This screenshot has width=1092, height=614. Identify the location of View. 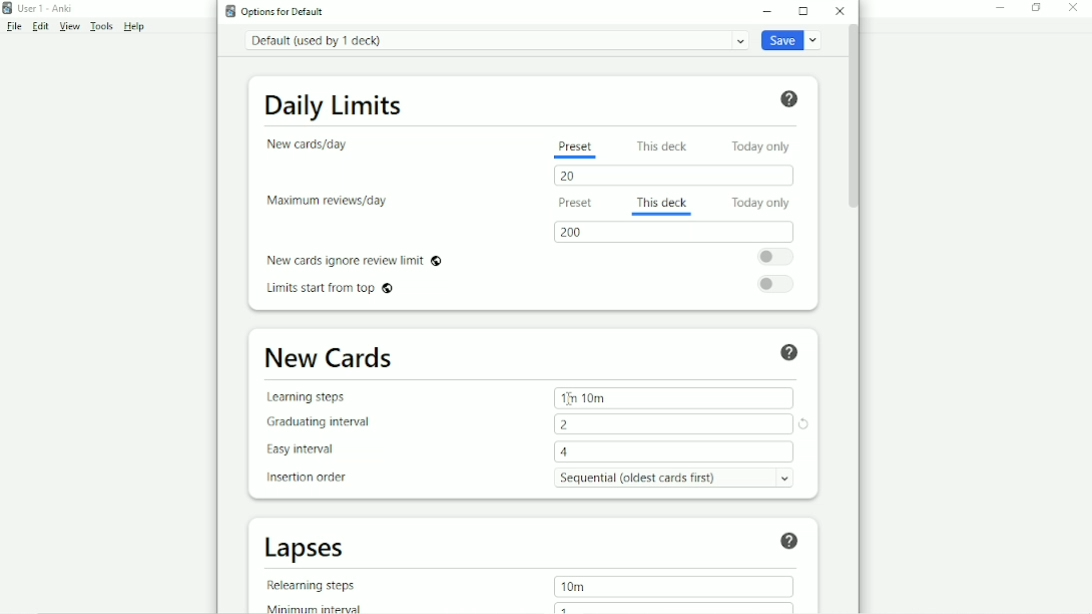
(70, 27).